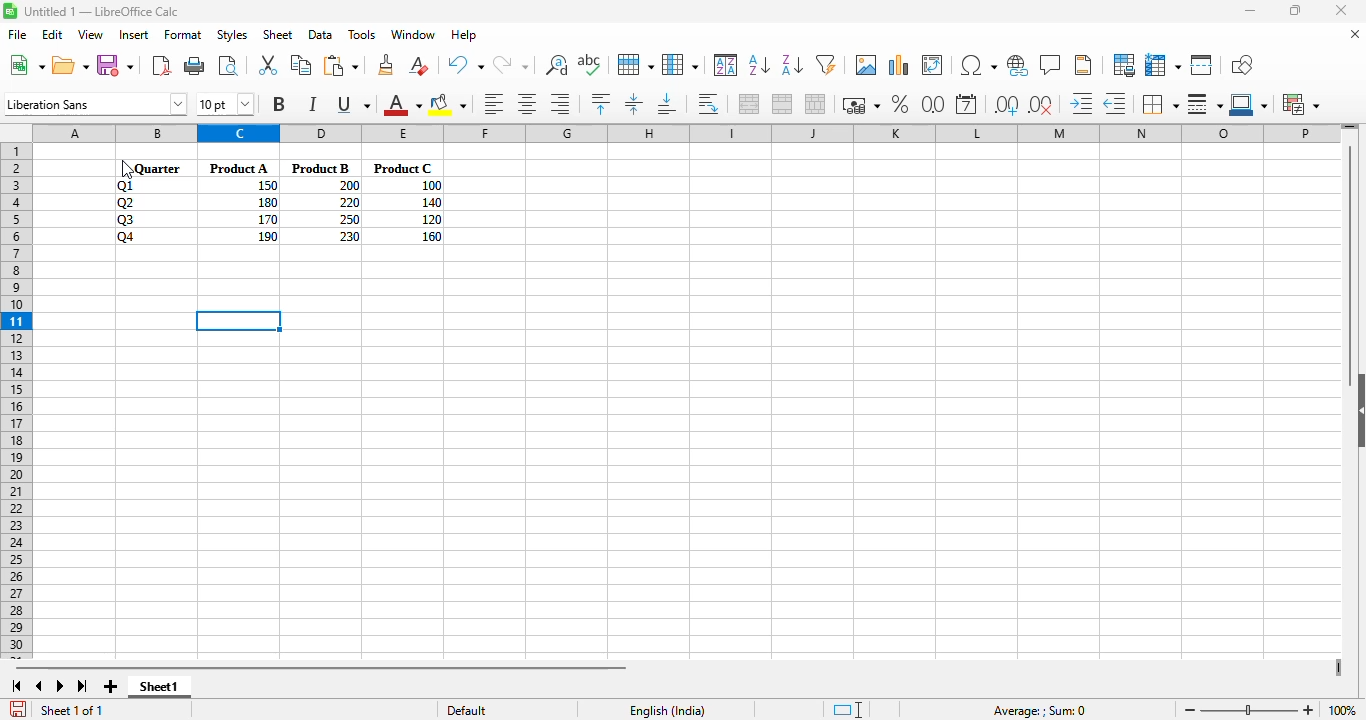 This screenshot has height=720, width=1366. What do you see at coordinates (60, 686) in the screenshot?
I see `scroll to next sheet` at bounding box center [60, 686].